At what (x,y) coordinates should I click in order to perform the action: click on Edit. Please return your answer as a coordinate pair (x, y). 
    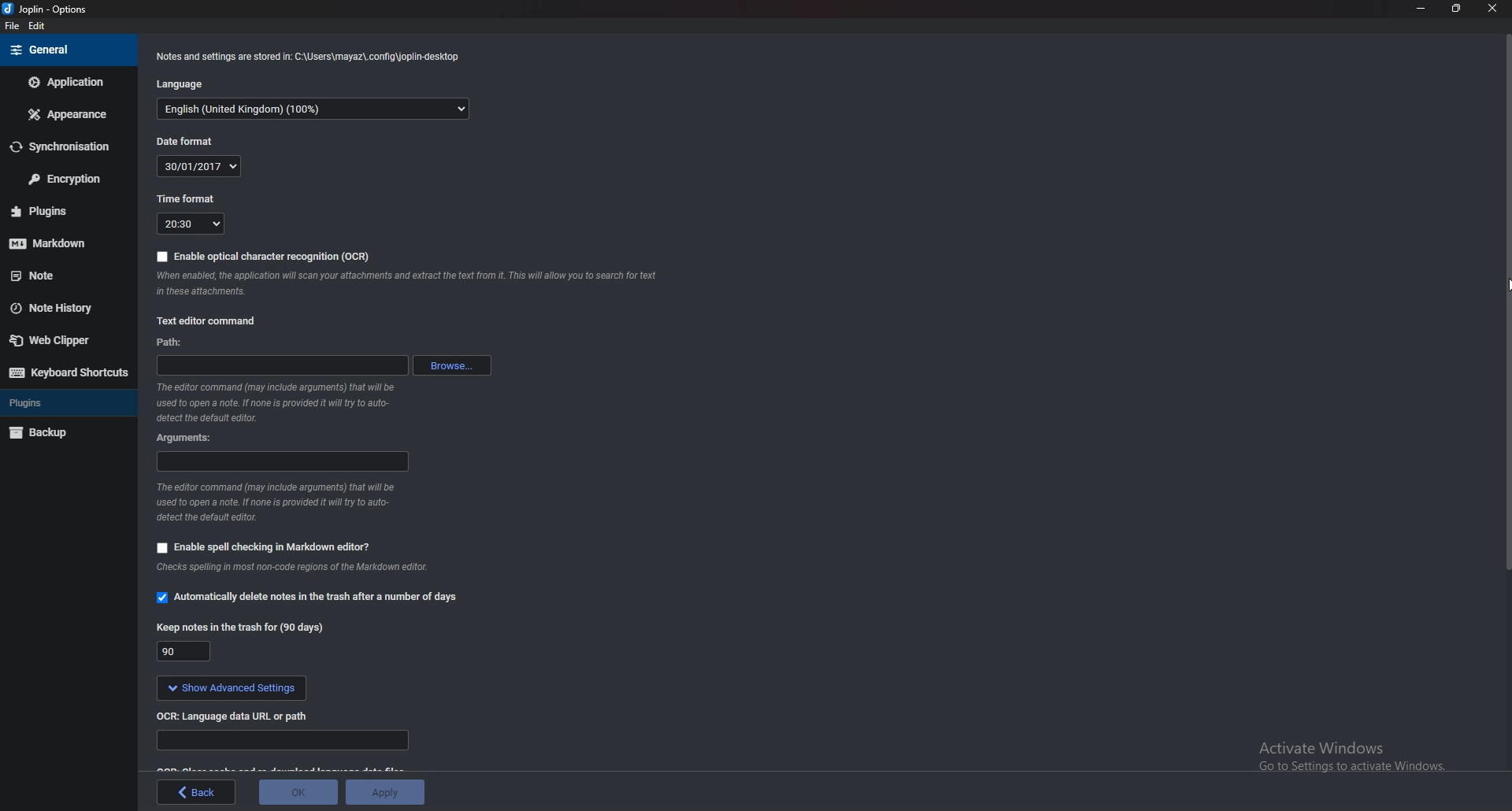
    Looking at the image, I should click on (37, 27).